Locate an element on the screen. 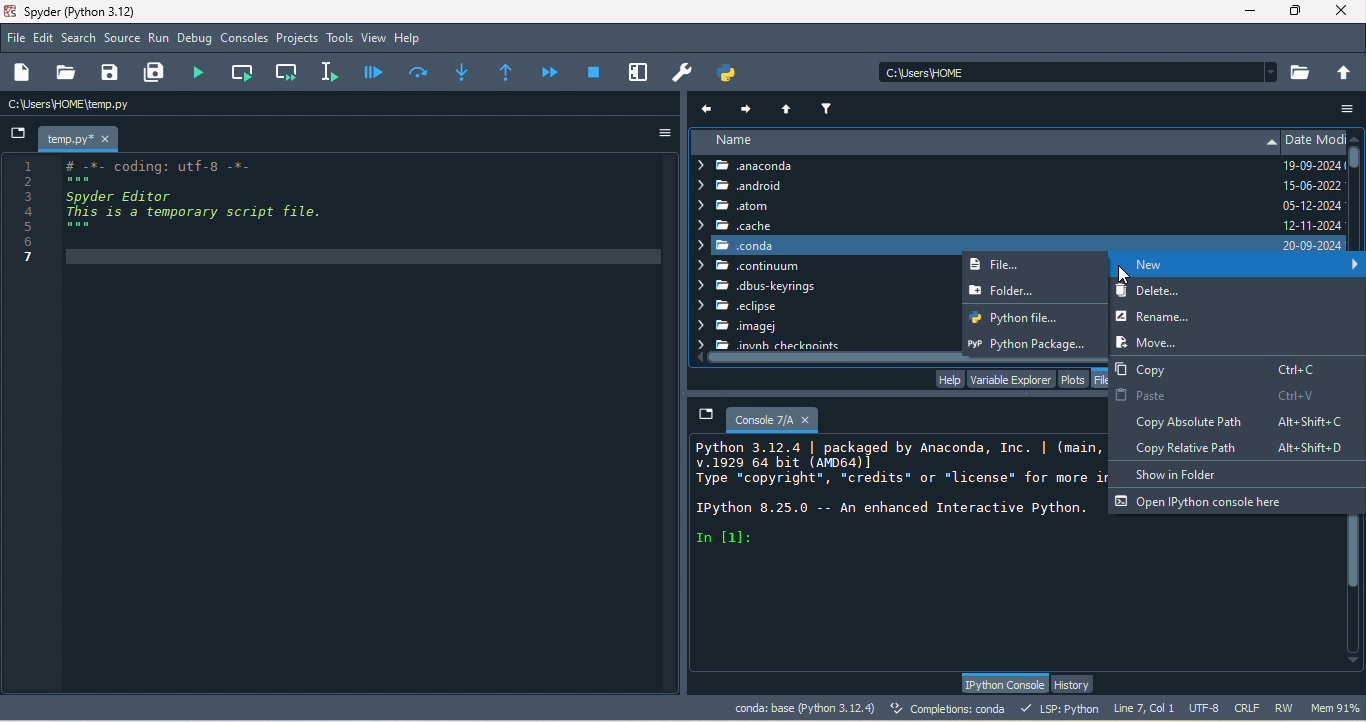  method is located at coordinates (462, 70).